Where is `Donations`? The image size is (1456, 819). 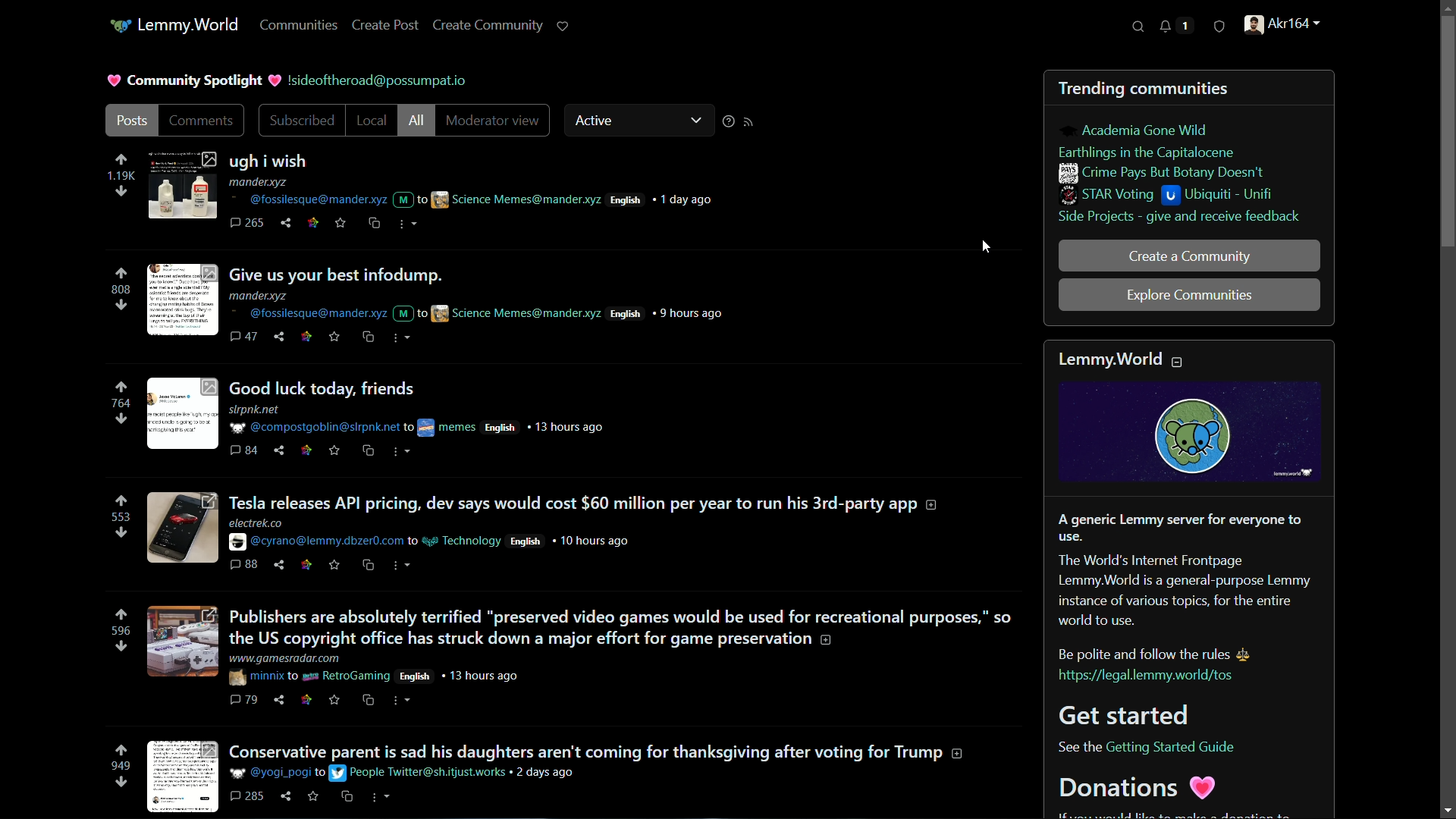 Donations is located at coordinates (1141, 787).